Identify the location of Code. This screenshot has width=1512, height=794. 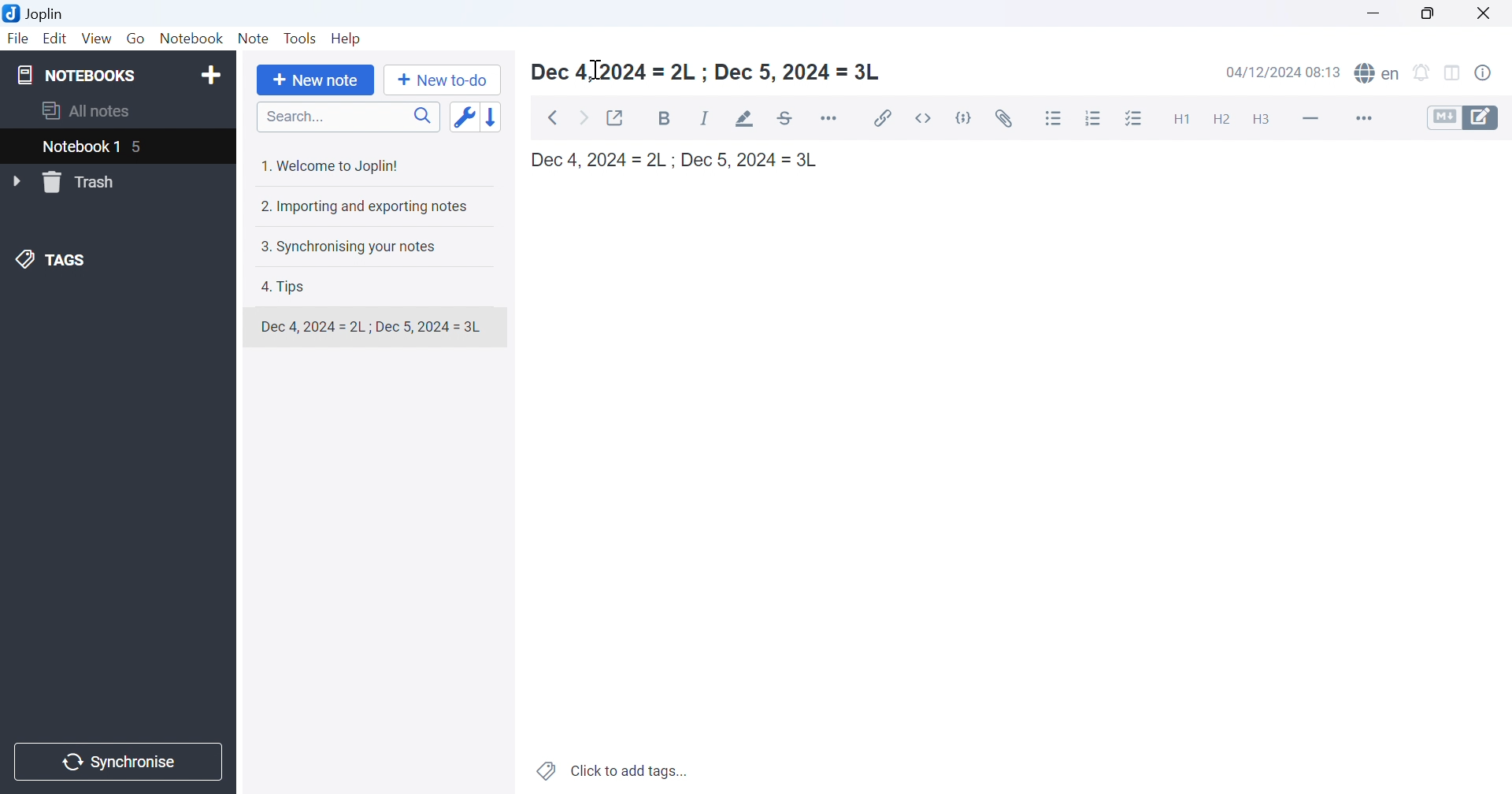
(965, 118).